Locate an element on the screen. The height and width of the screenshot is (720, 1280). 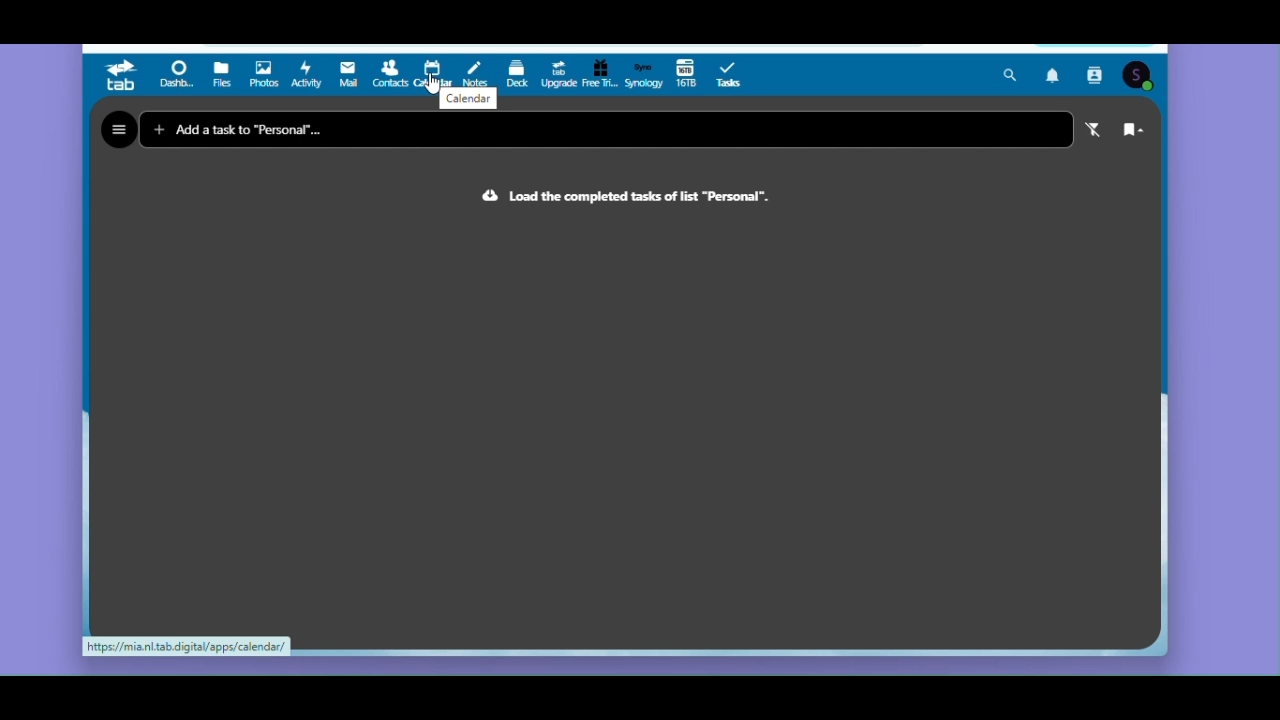
16 TB is located at coordinates (686, 75).